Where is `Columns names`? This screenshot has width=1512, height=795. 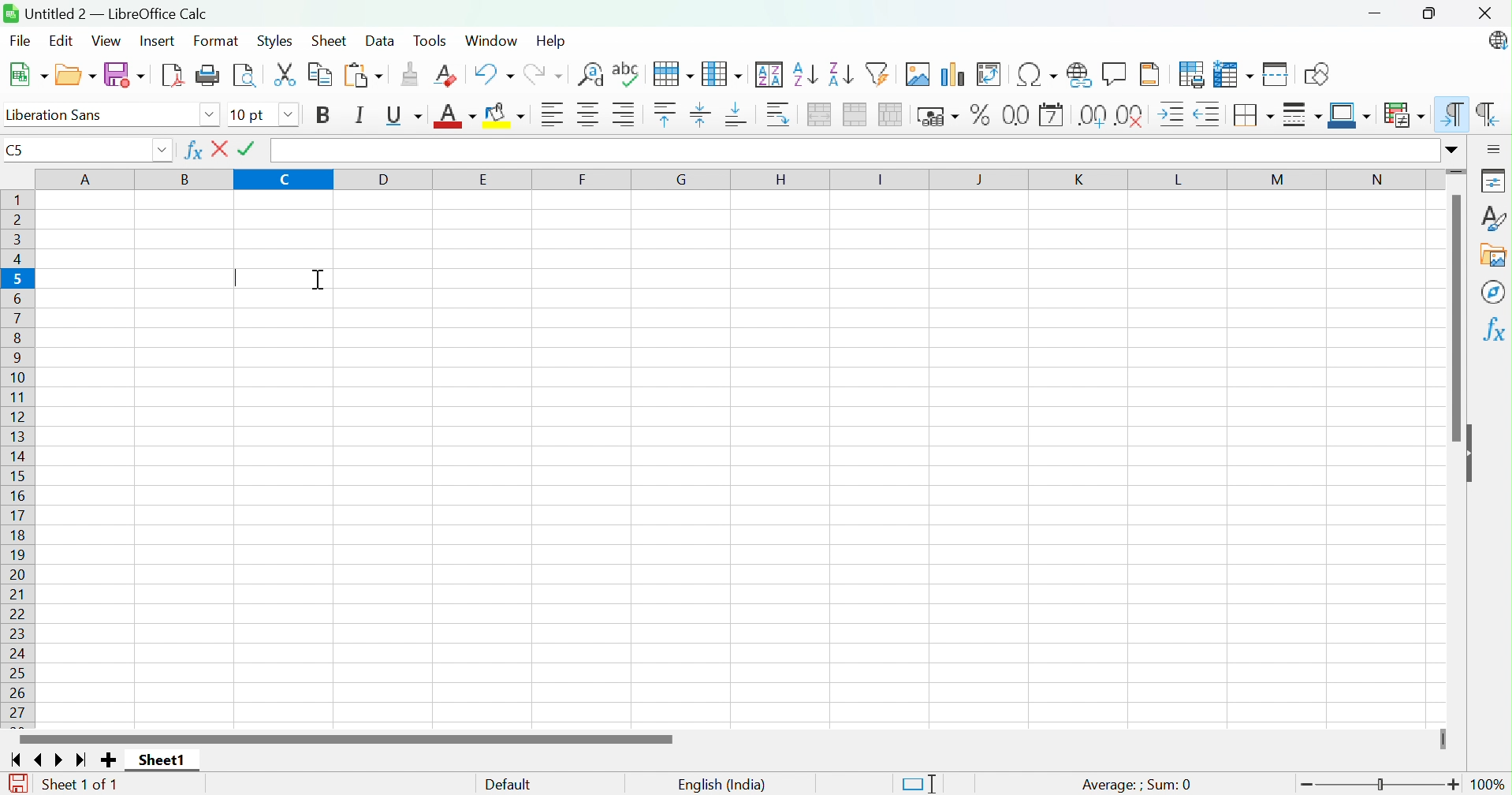
Columns names is located at coordinates (738, 181).